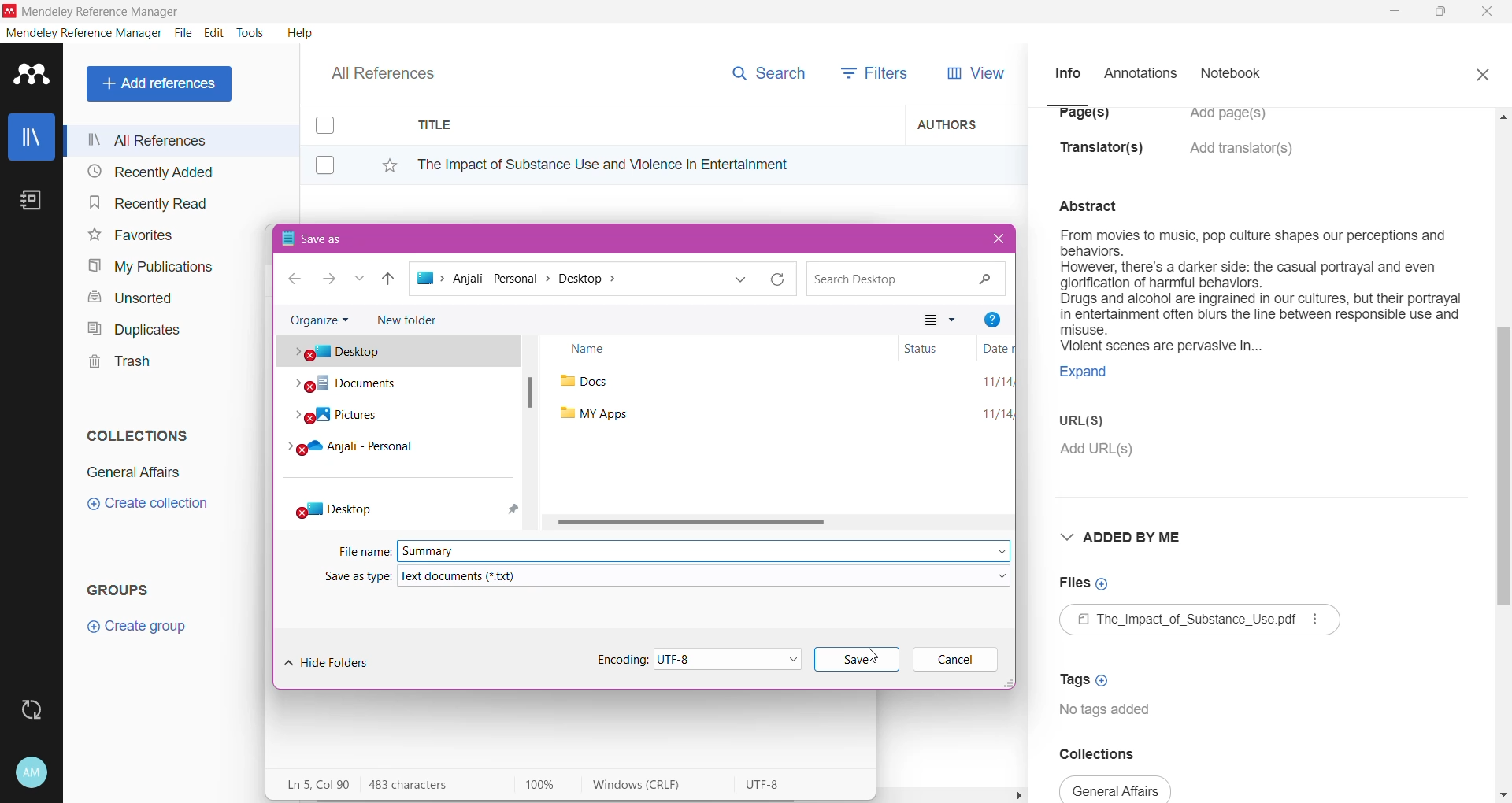 The width and height of the screenshot is (1512, 803). What do you see at coordinates (402, 354) in the screenshot?
I see `Desktop` at bounding box center [402, 354].